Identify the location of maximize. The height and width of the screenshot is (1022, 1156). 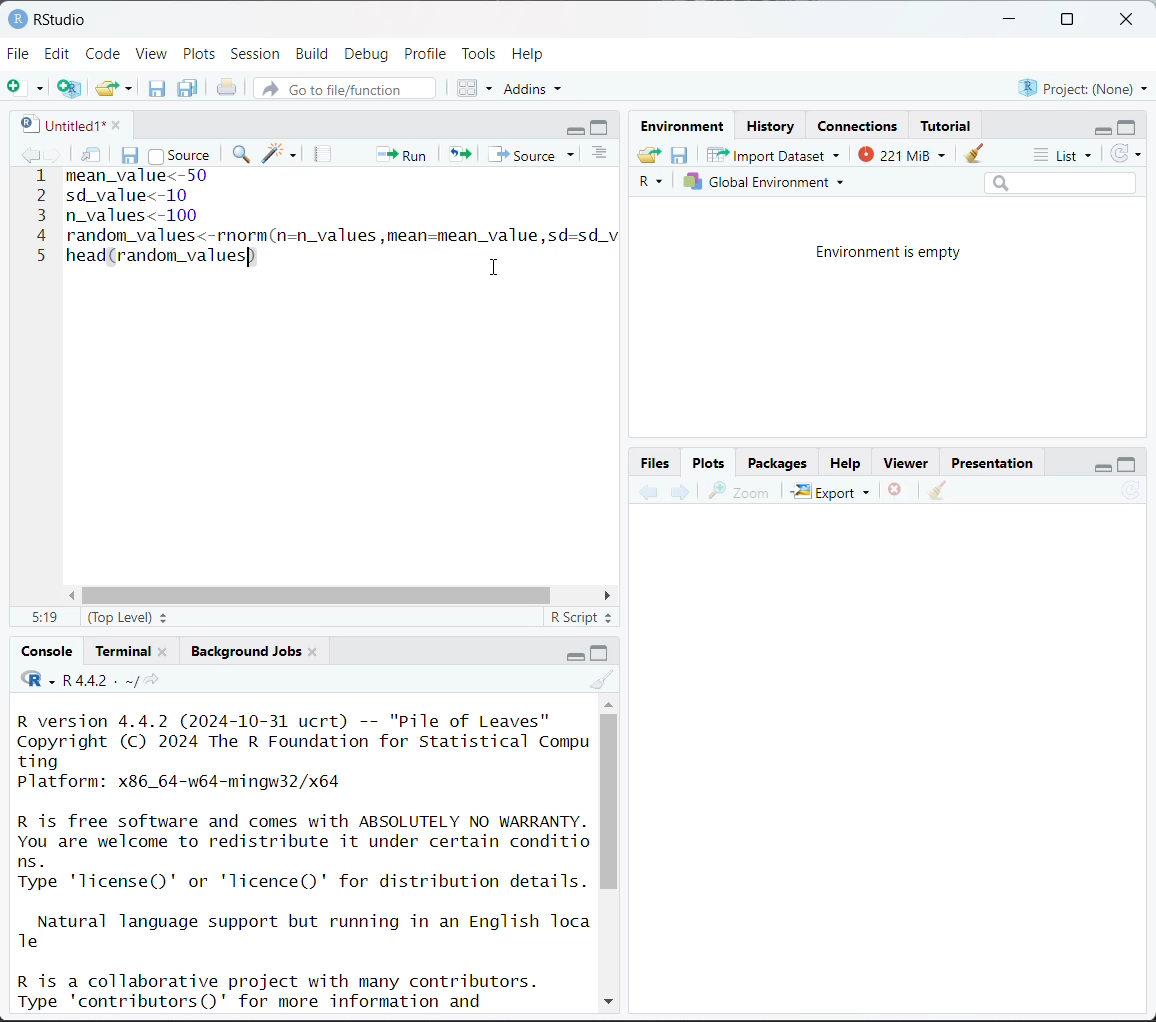
(1127, 463).